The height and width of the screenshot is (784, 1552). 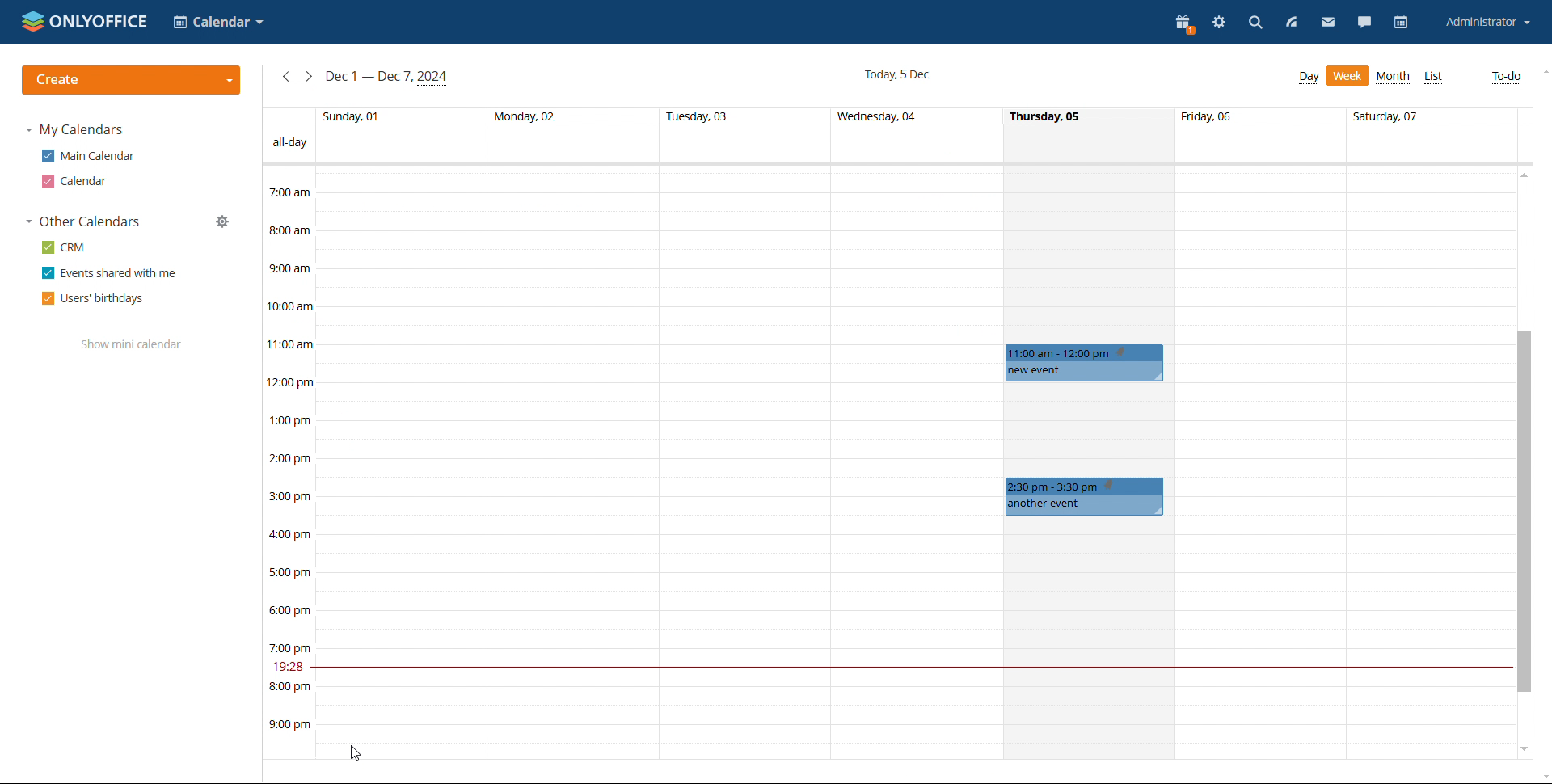 What do you see at coordinates (1385, 117) in the screenshot?
I see `Saturday, 07` at bounding box center [1385, 117].